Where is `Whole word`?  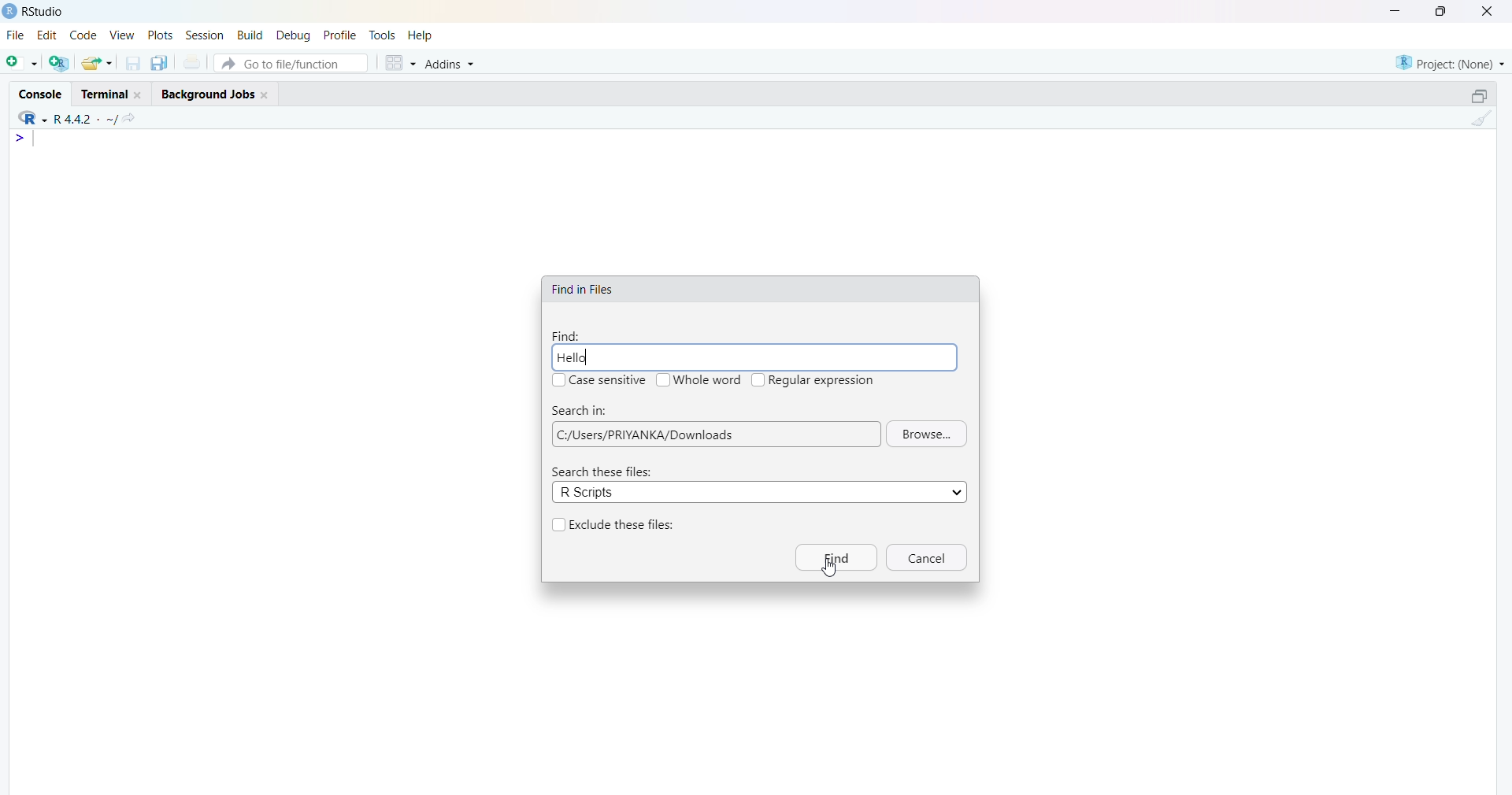
Whole word is located at coordinates (709, 380).